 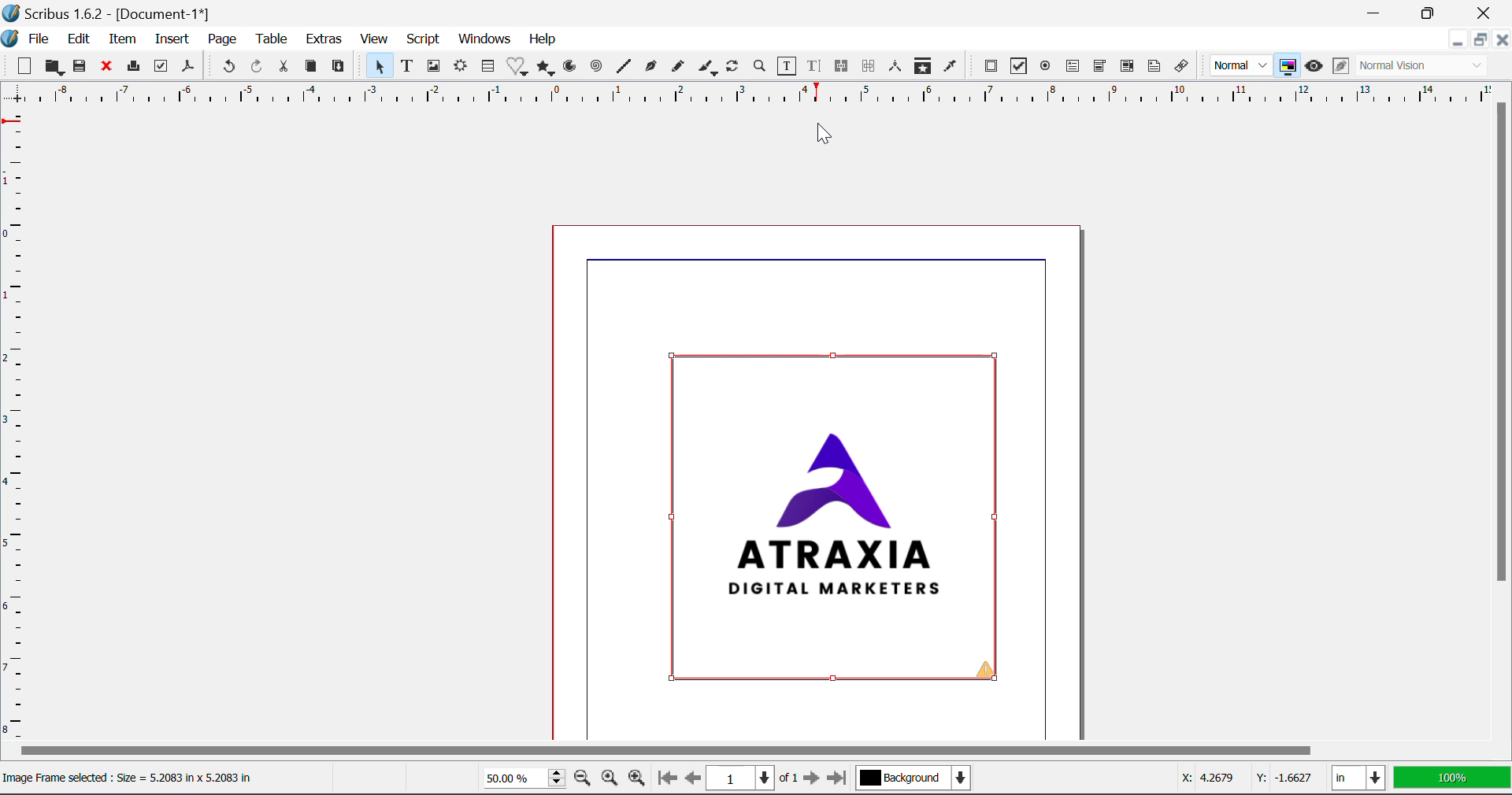 I want to click on Image Frame, so click(x=434, y=68).